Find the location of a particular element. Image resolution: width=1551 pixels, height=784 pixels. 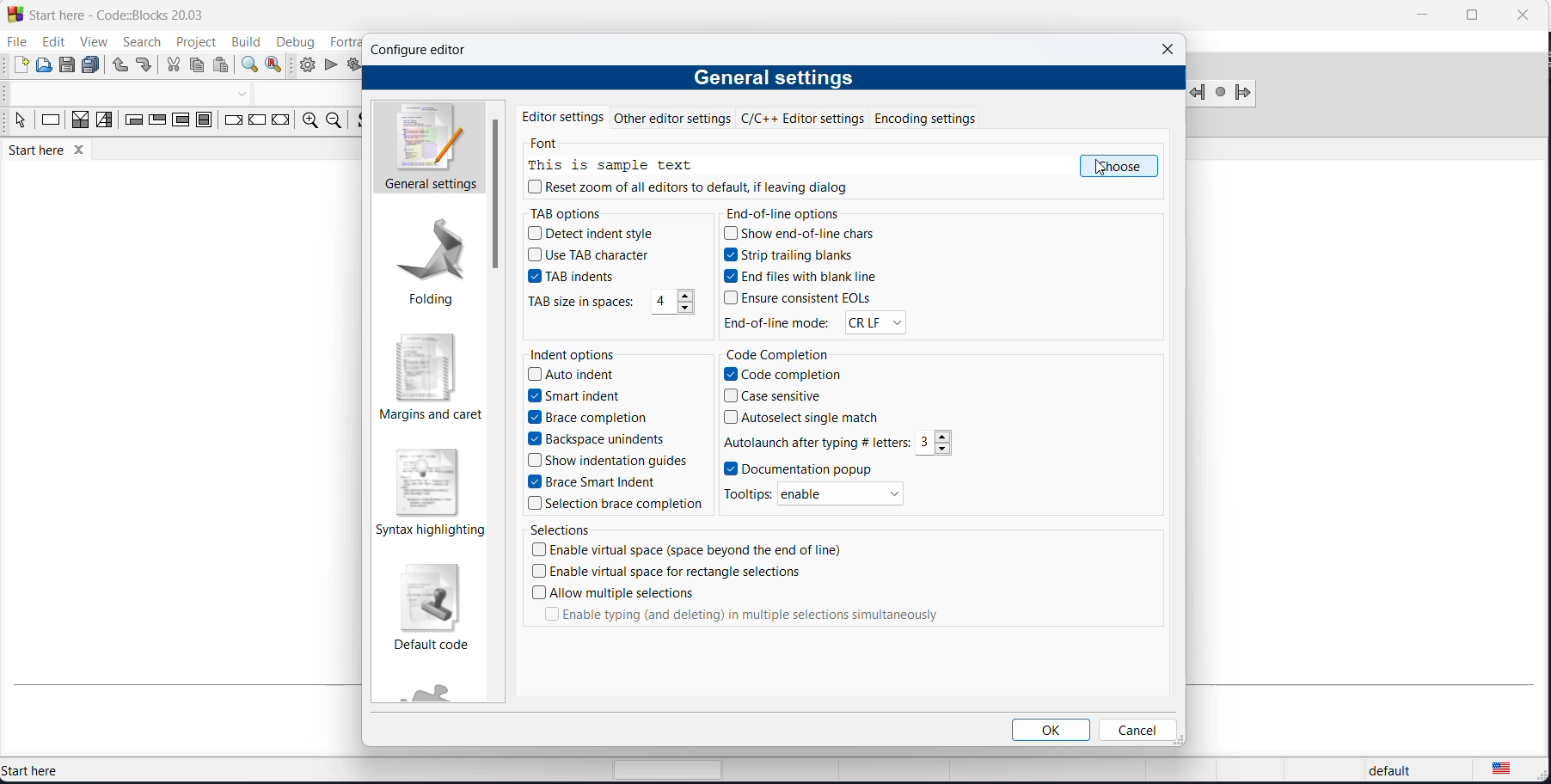

cursor is located at coordinates (1100, 171).